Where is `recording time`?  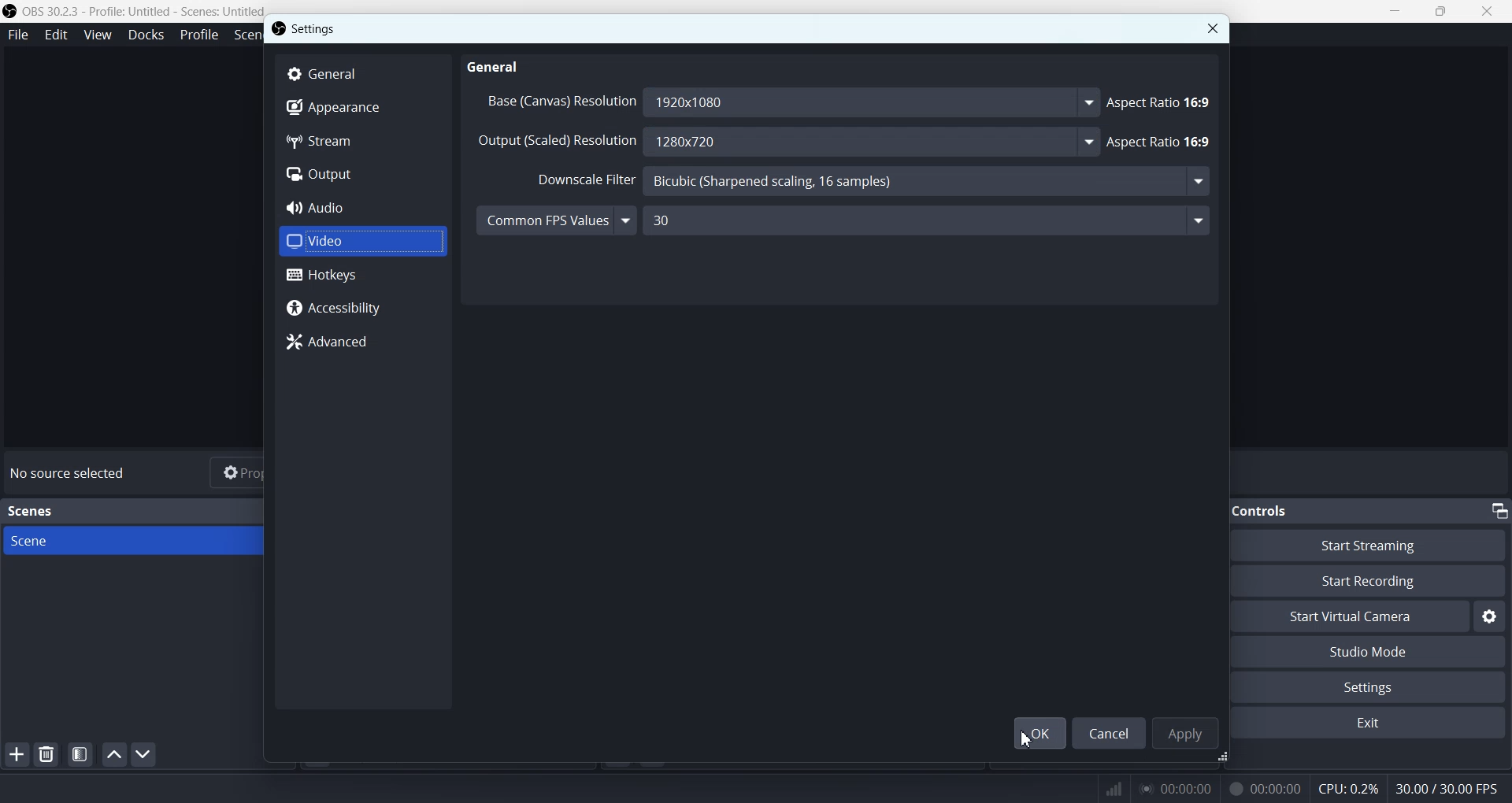 recording time is located at coordinates (1262, 788).